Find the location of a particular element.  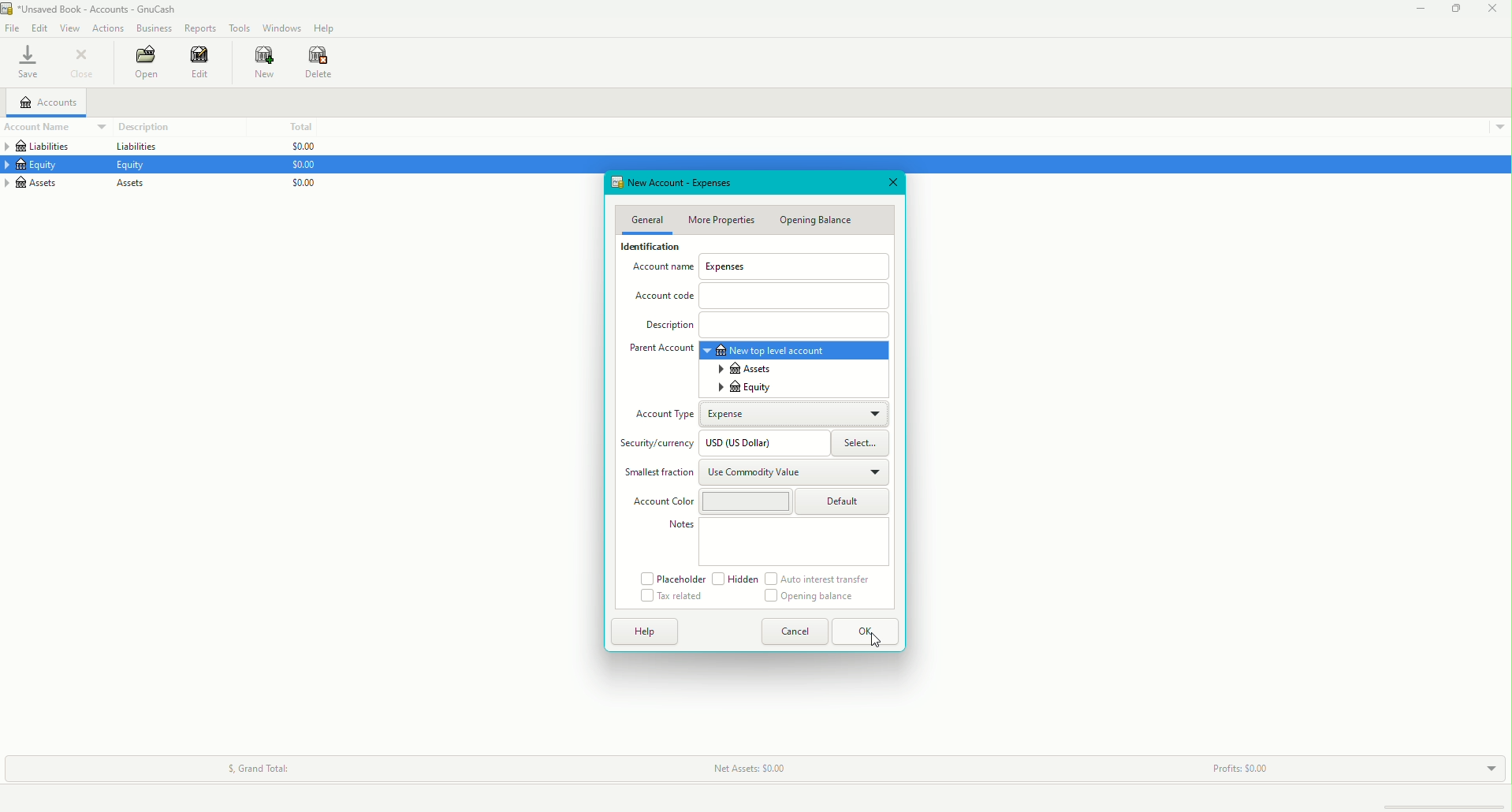

Notes is located at coordinates (680, 528).